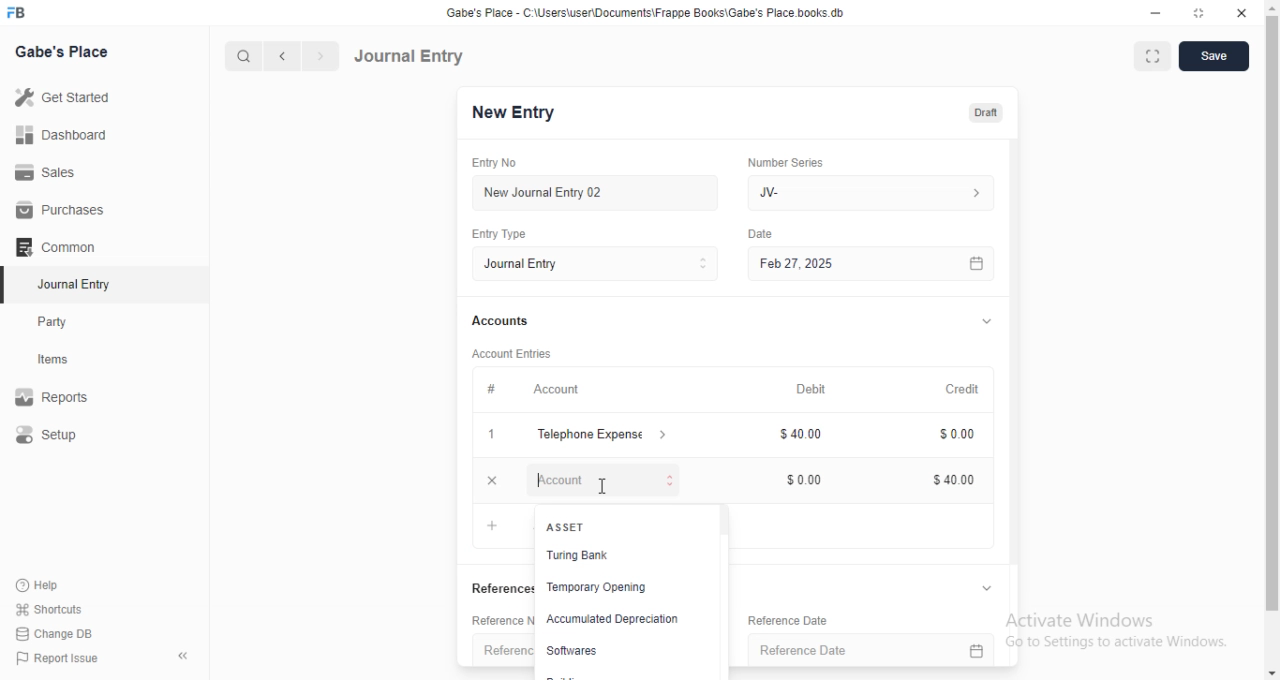 Image resolution: width=1280 pixels, height=680 pixels. I want to click on IV-, so click(877, 192).